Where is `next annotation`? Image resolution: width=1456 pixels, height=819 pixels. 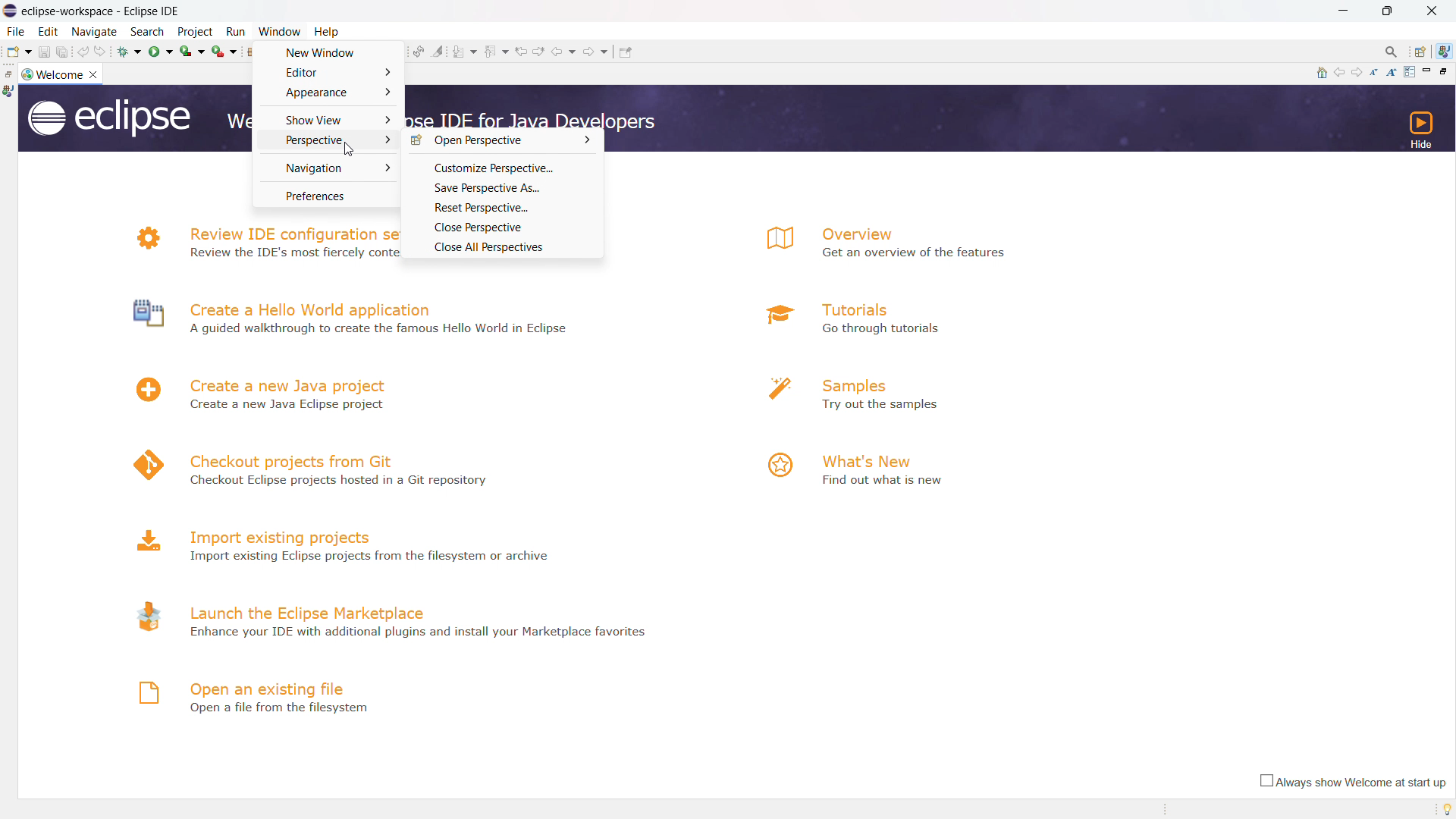 next annotation is located at coordinates (464, 52).